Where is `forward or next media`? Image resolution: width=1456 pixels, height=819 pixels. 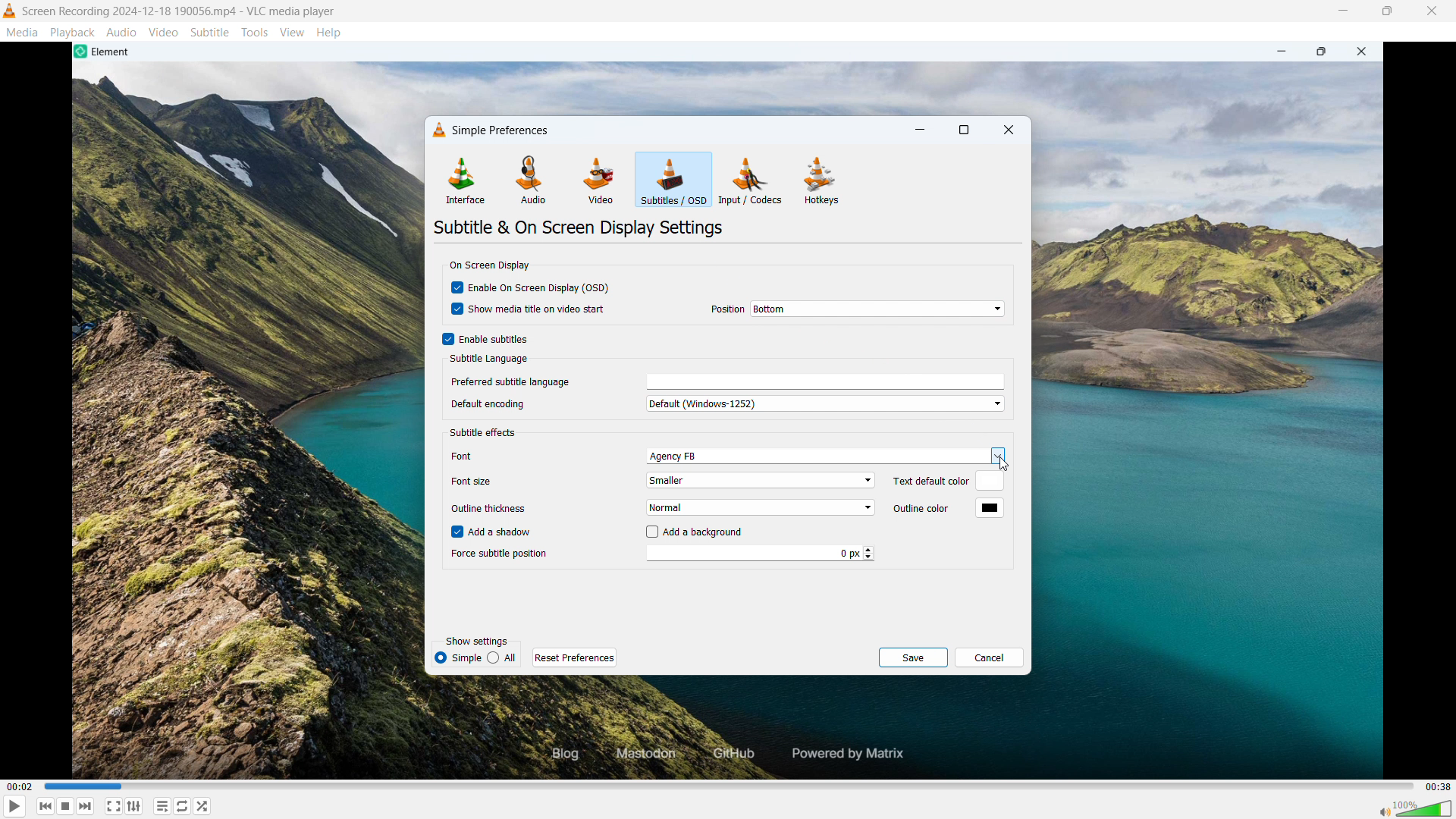 forward or next media is located at coordinates (85, 806).